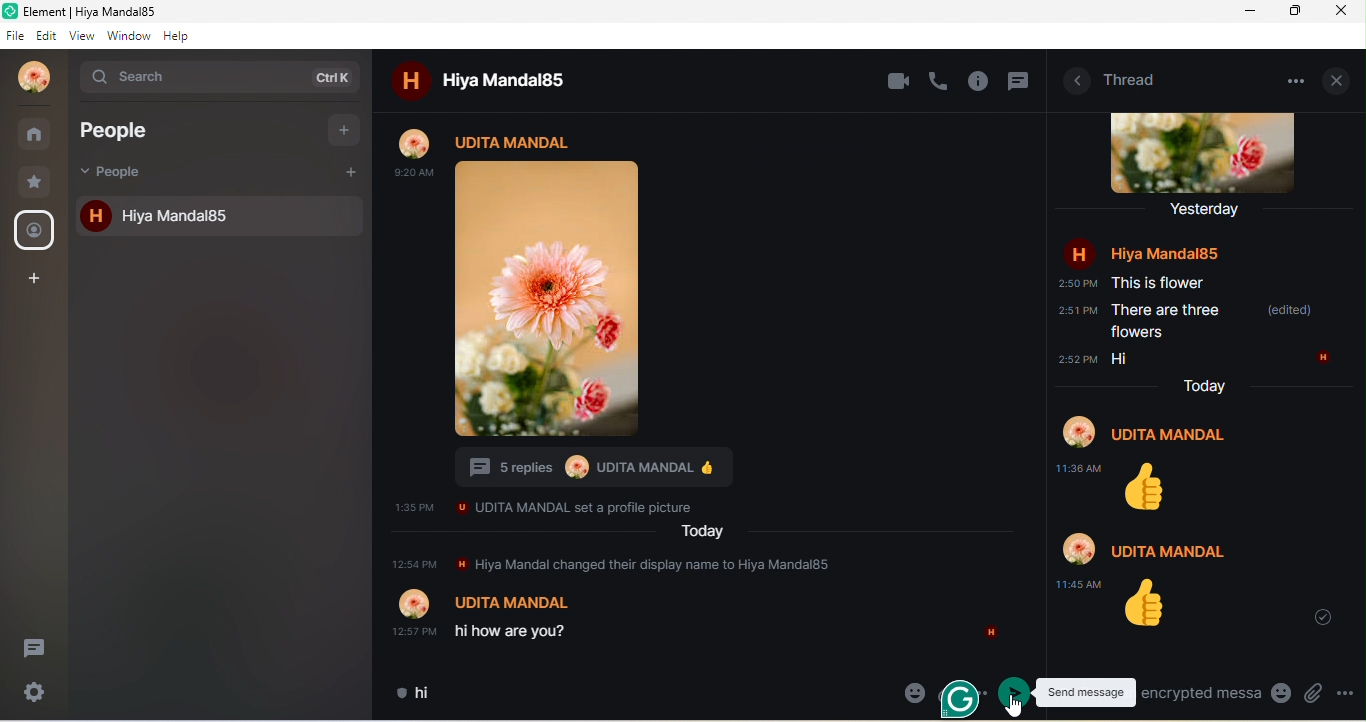 This screenshot has width=1366, height=722. I want to click on profile photo, so click(415, 141).